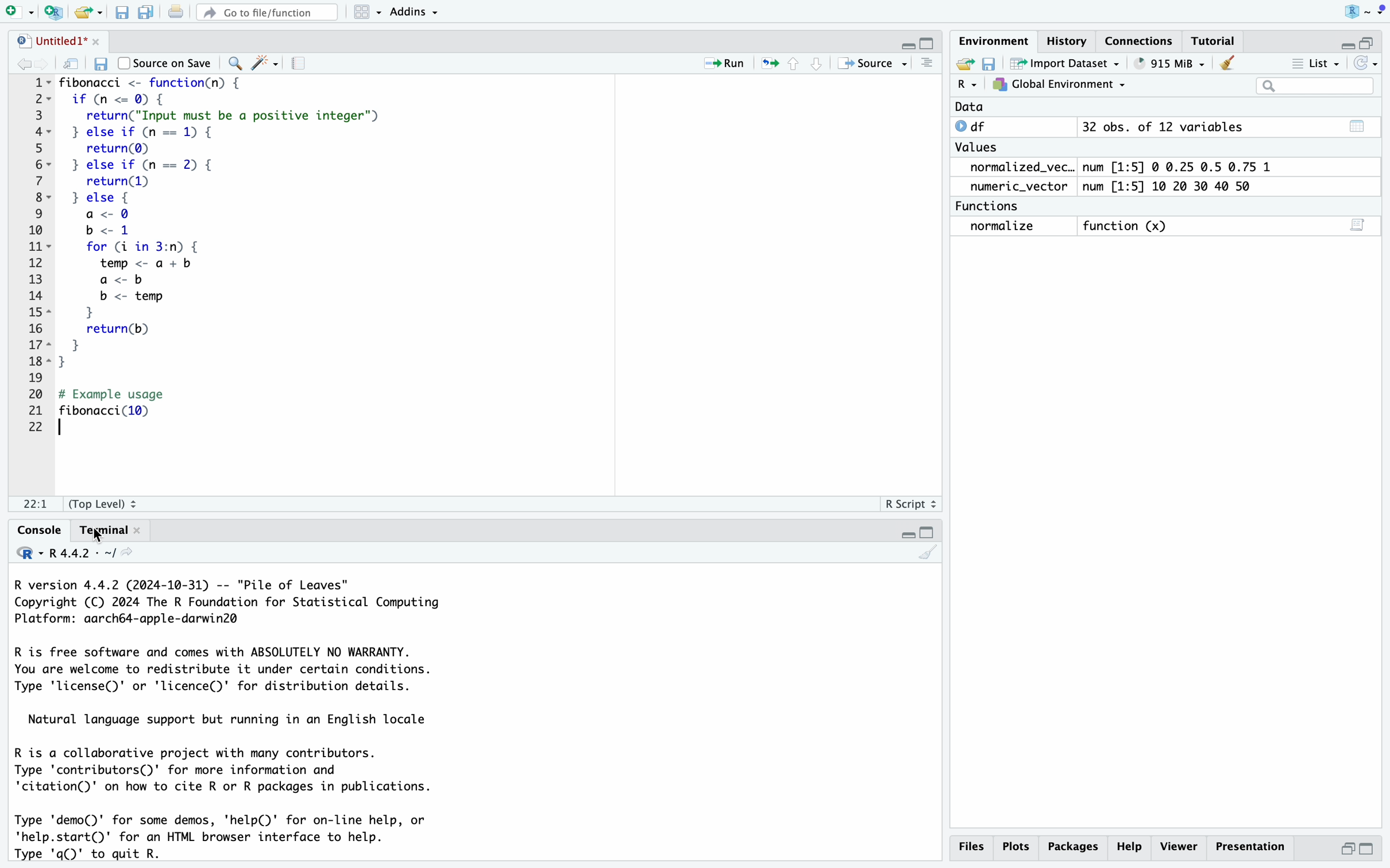 The image size is (1390, 868). Describe the element at coordinates (1364, 13) in the screenshot. I see `RStudio` at that location.